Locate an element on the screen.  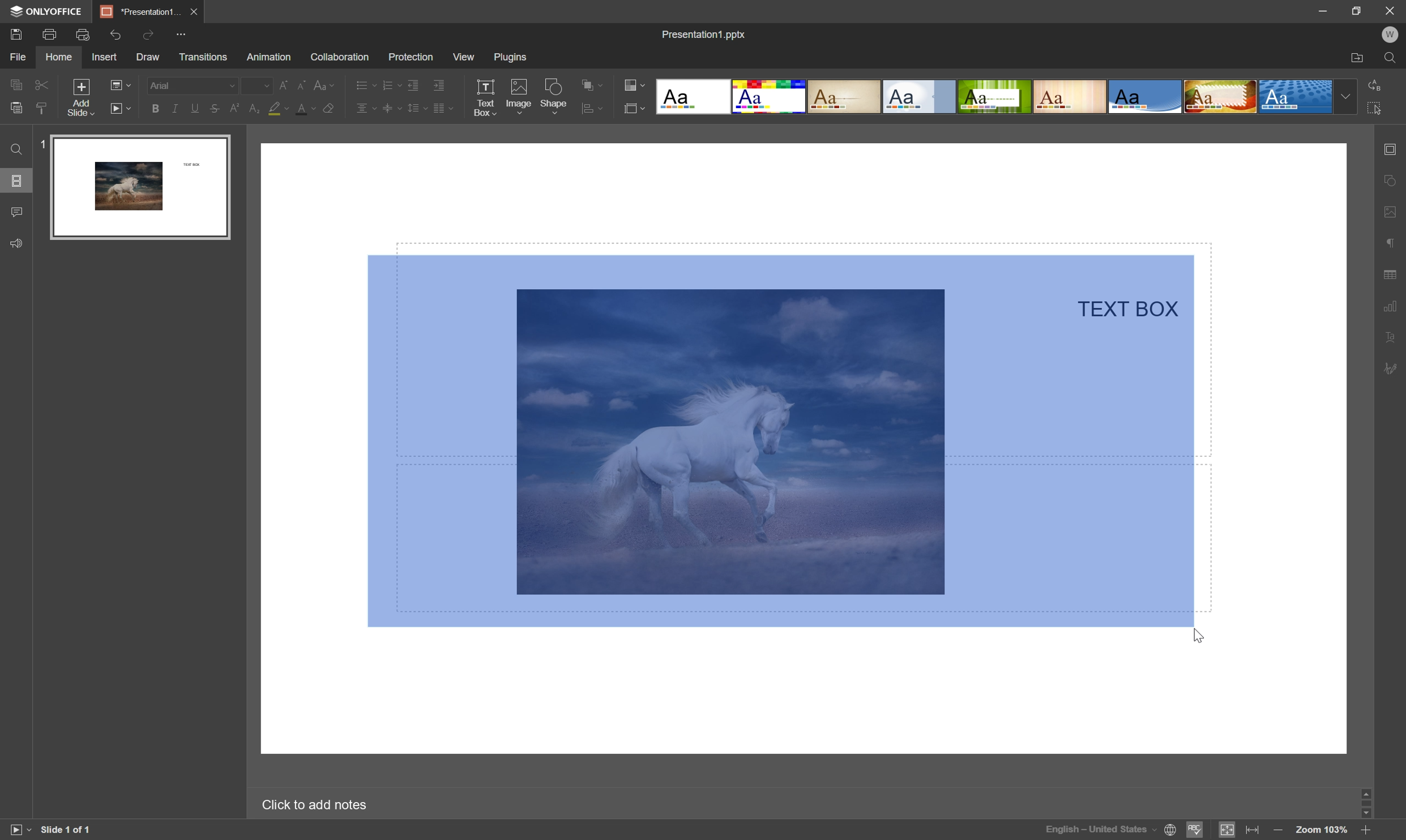
fit to slide is located at coordinates (1226, 831).